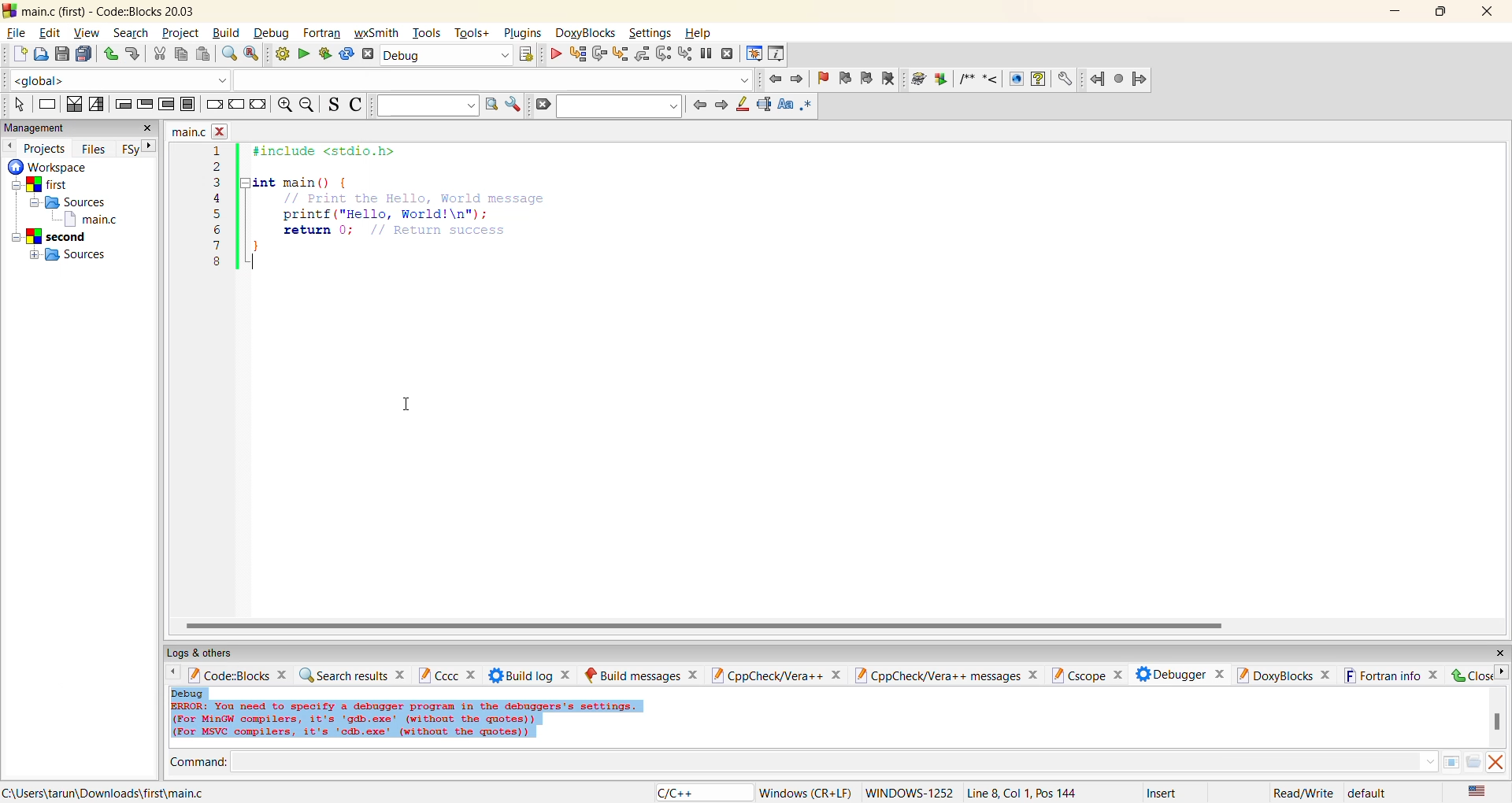  What do you see at coordinates (1098, 77) in the screenshot?
I see `jump back` at bounding box center [1098, 77].